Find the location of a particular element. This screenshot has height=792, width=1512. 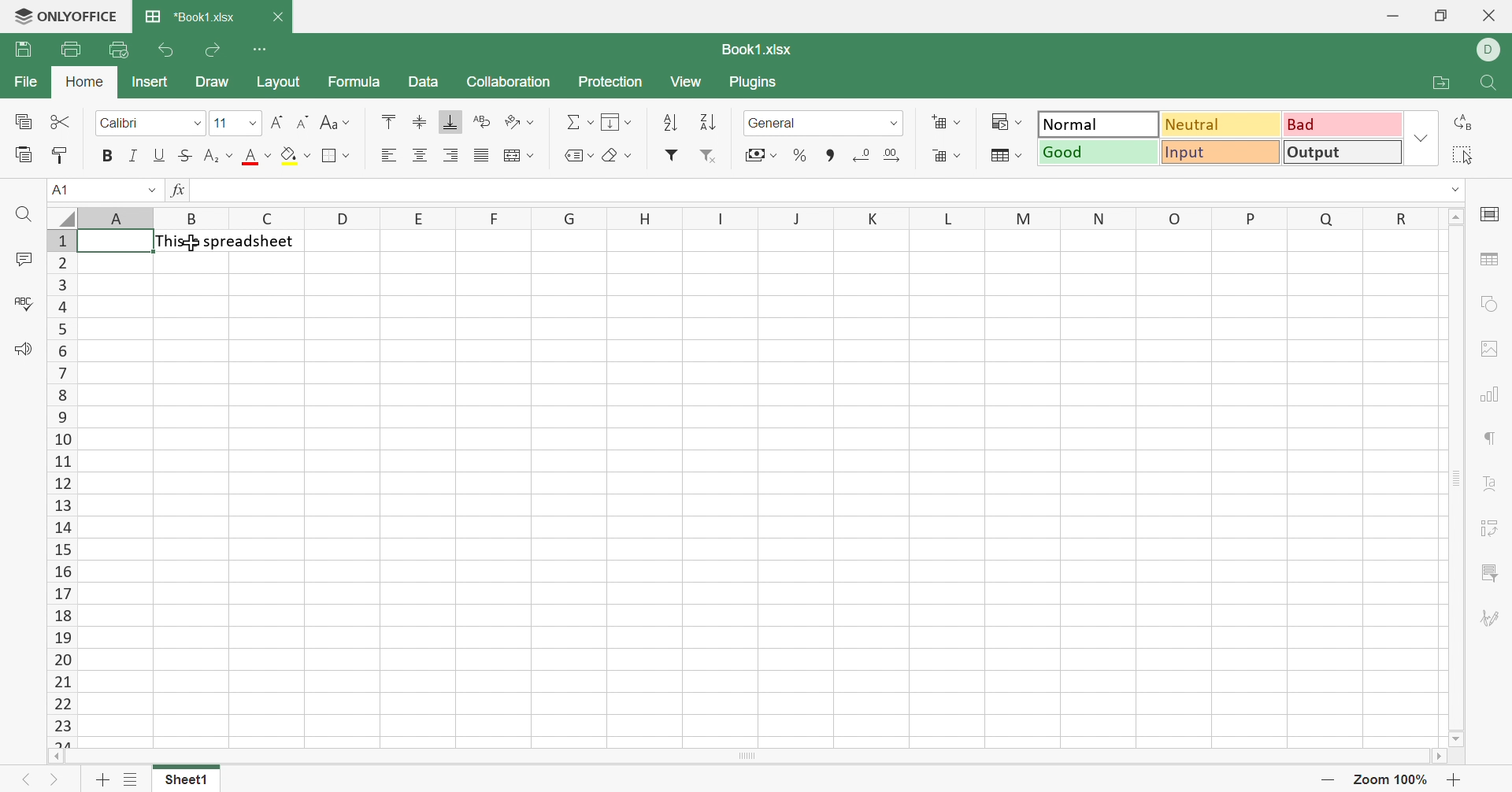

Comma styles is located at coordinates (828, 155).